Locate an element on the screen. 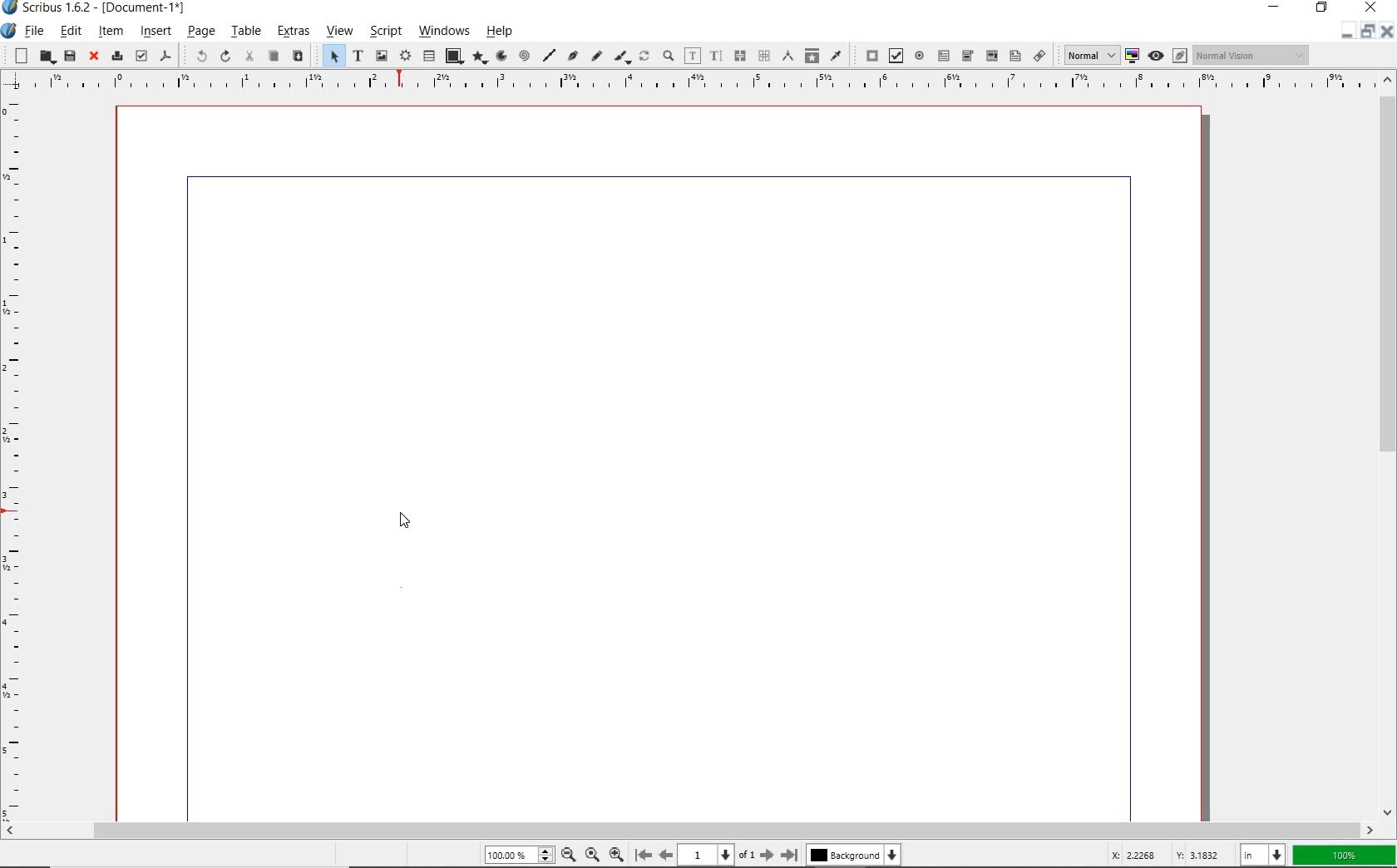  line is located at coordinates (548, 55).